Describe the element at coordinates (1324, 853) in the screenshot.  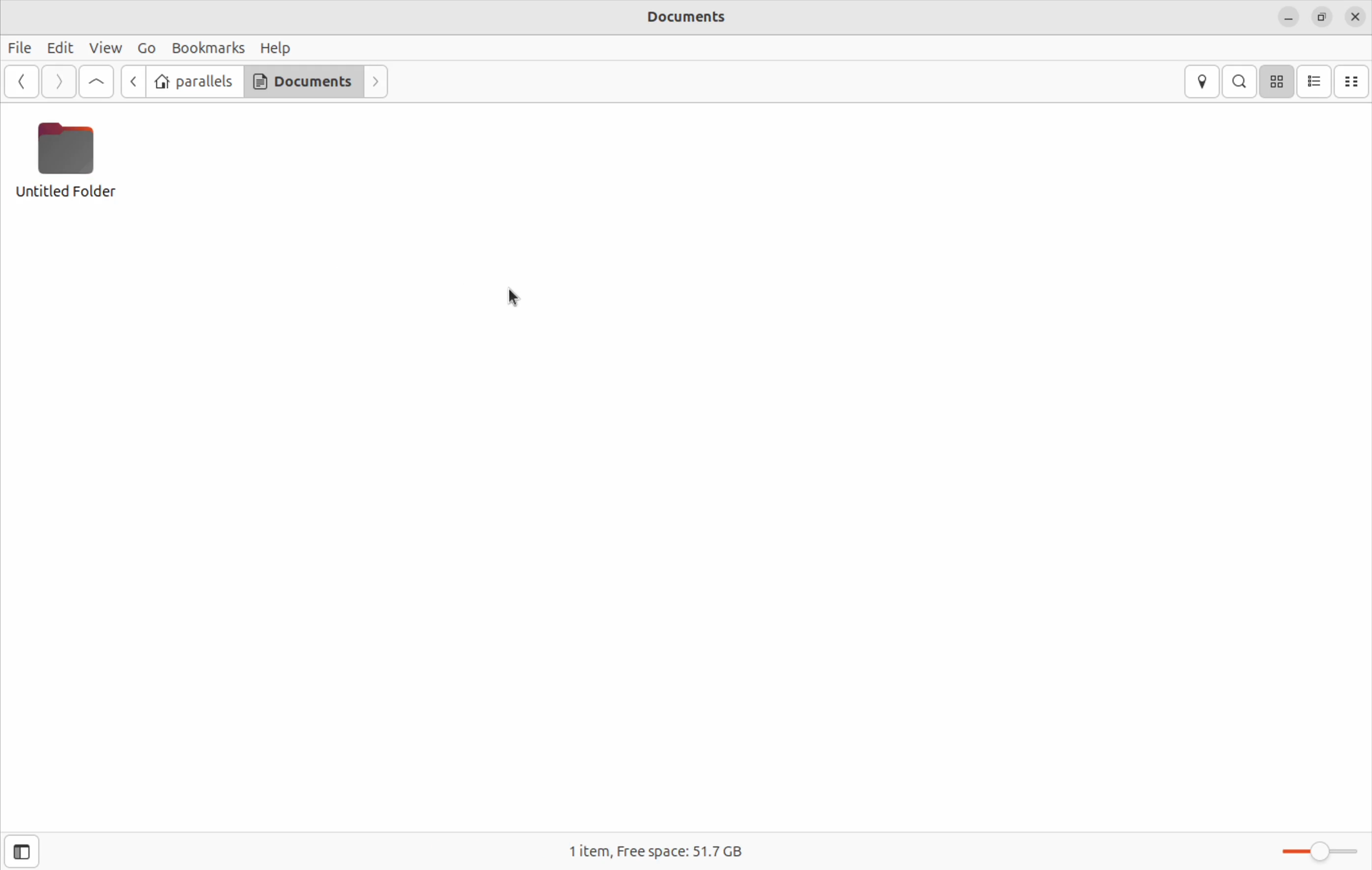
I see `Zoom` at that location.